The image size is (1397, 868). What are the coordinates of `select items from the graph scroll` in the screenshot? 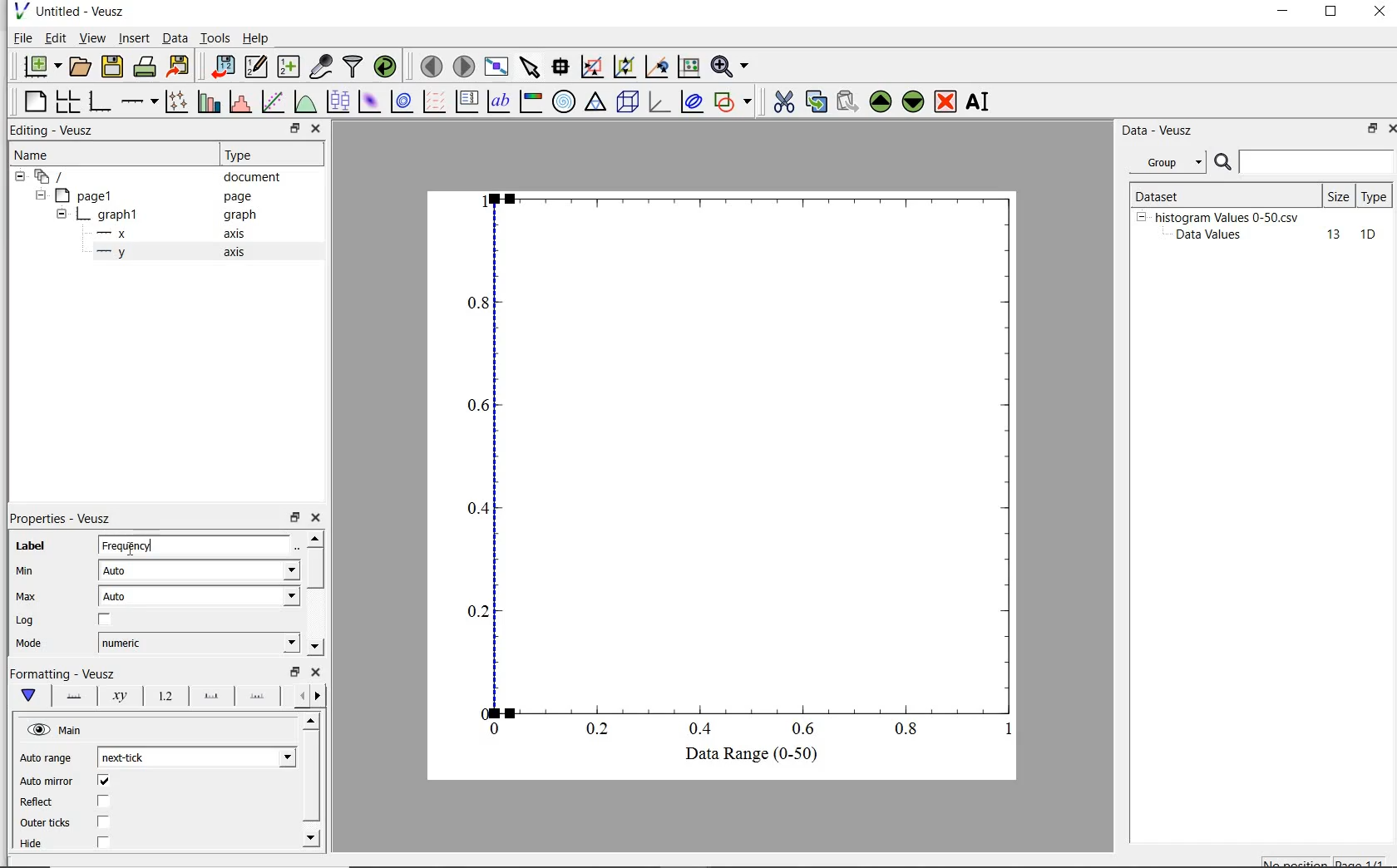 It's located at (531, 65).